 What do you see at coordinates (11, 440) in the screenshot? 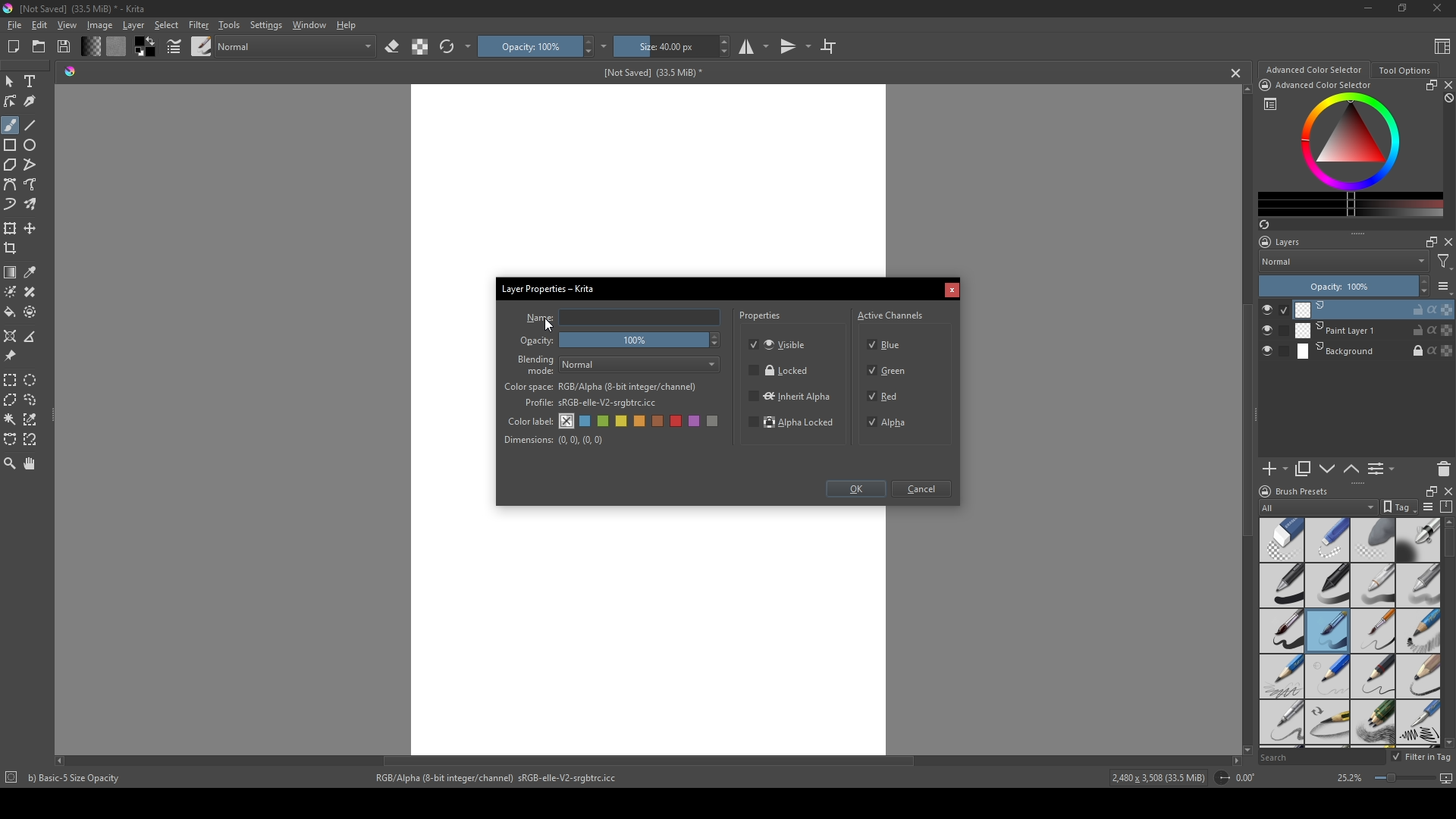
I see `bezier curve` at bounding box center [11, 440].